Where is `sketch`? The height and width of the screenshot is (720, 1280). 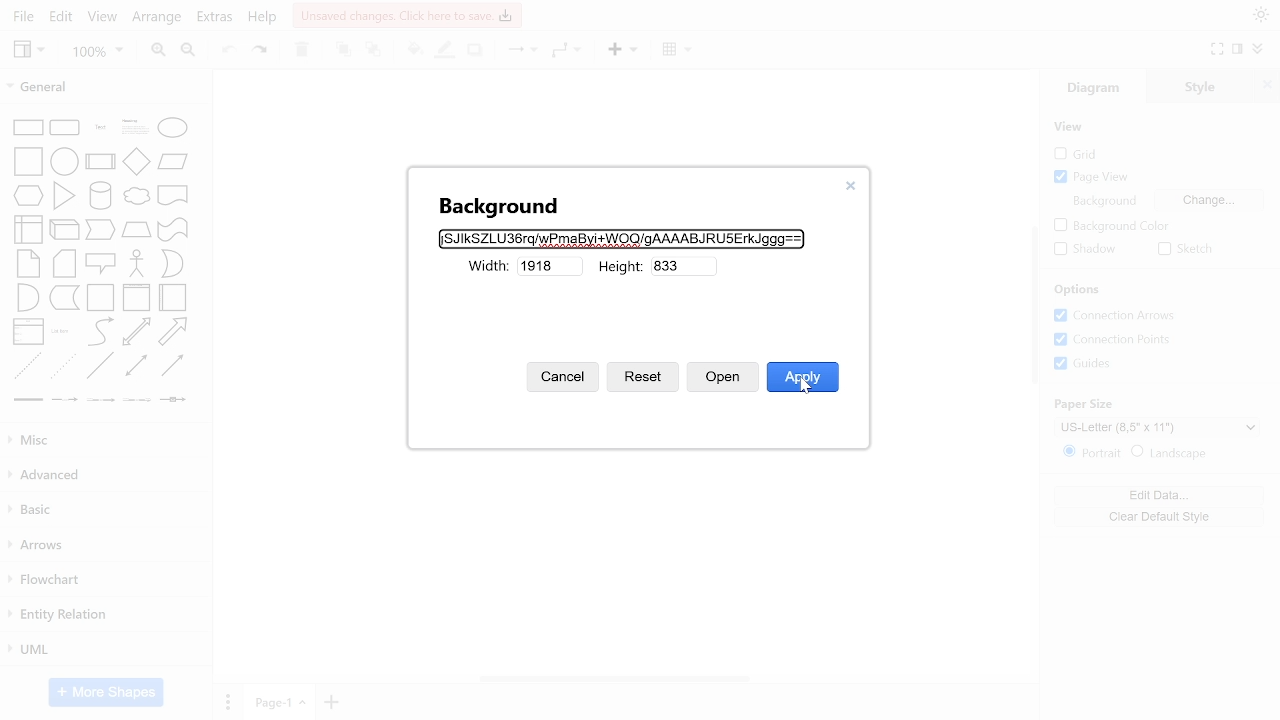
sketch is located at coordinates (1184, 250).